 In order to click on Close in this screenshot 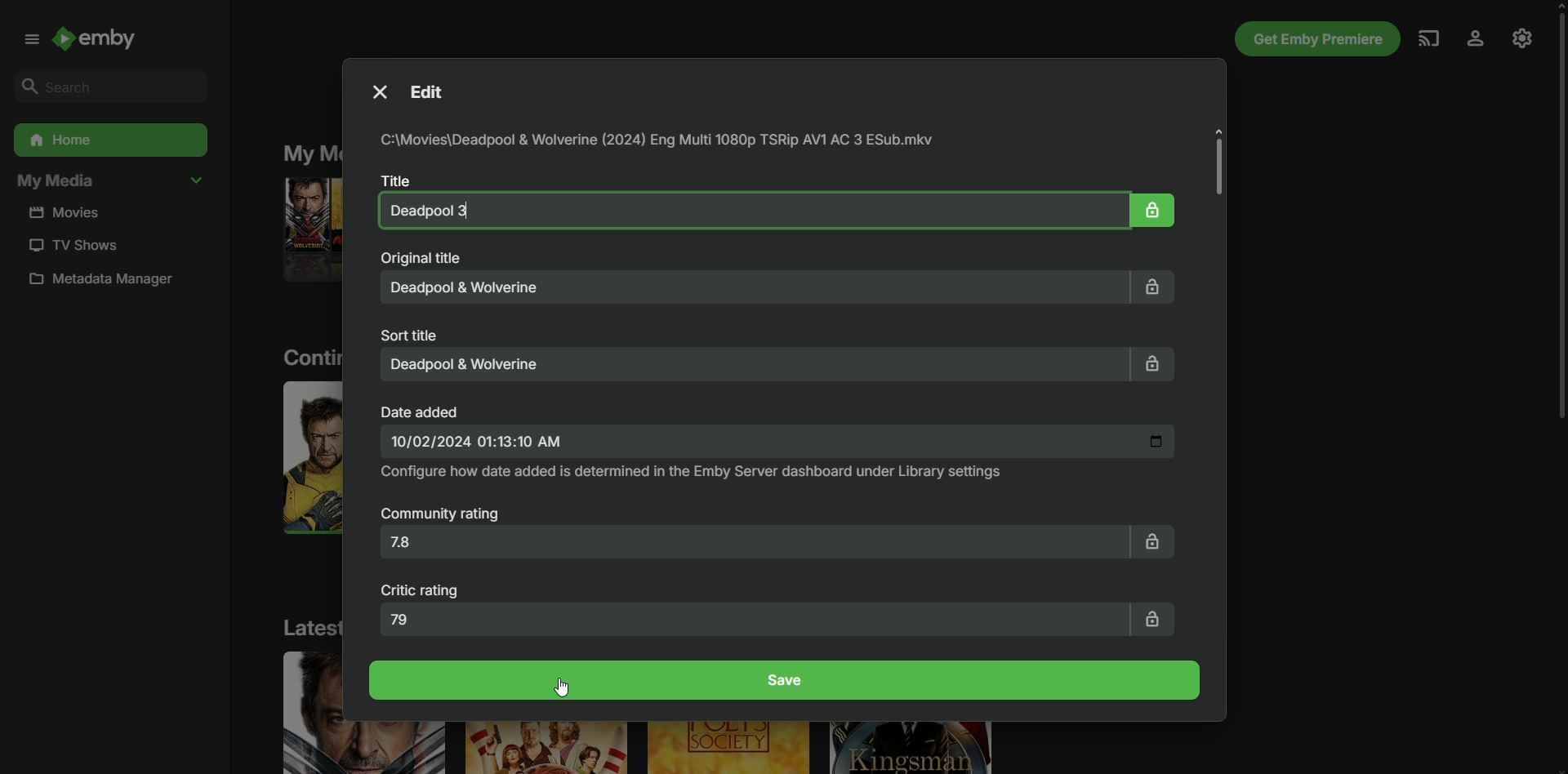, I will do `click(377, 91)`.